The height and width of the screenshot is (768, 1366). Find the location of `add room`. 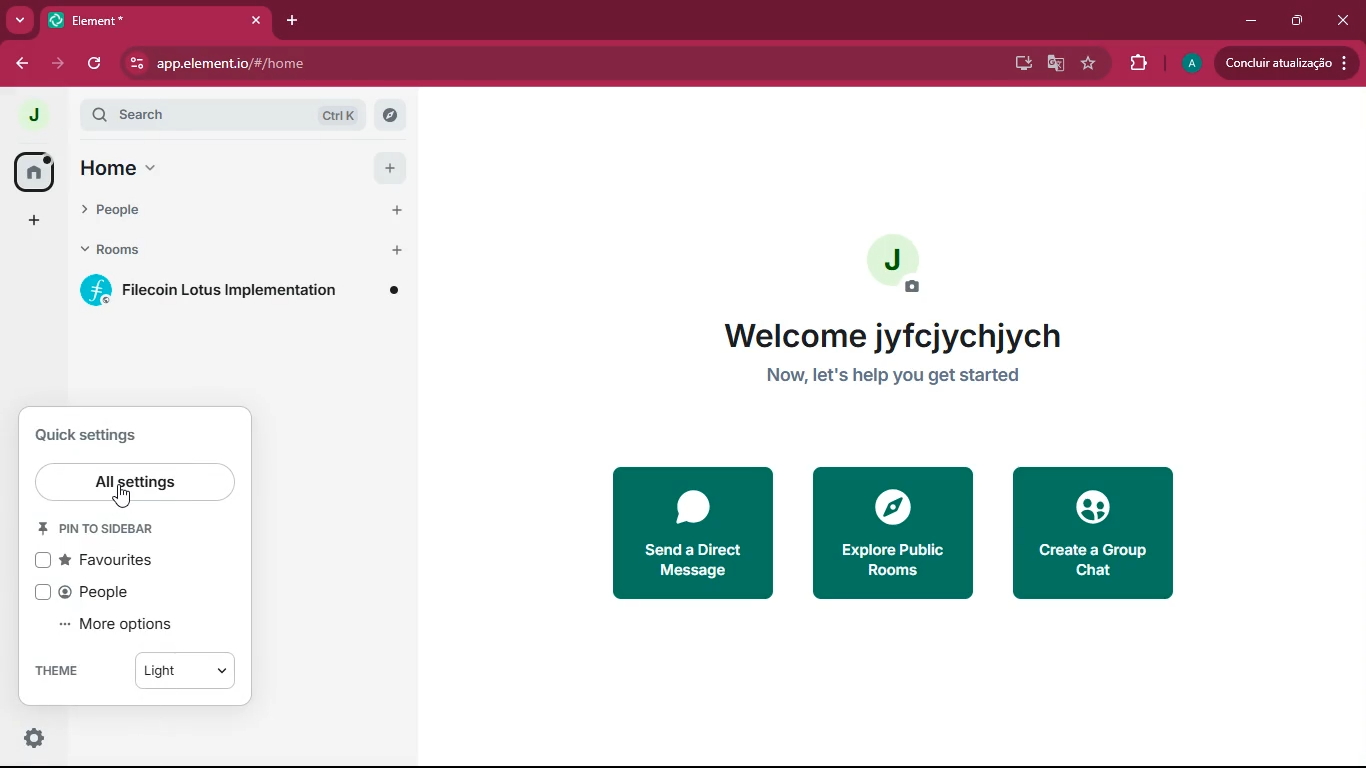

add room is located at coordinates (398, 251).